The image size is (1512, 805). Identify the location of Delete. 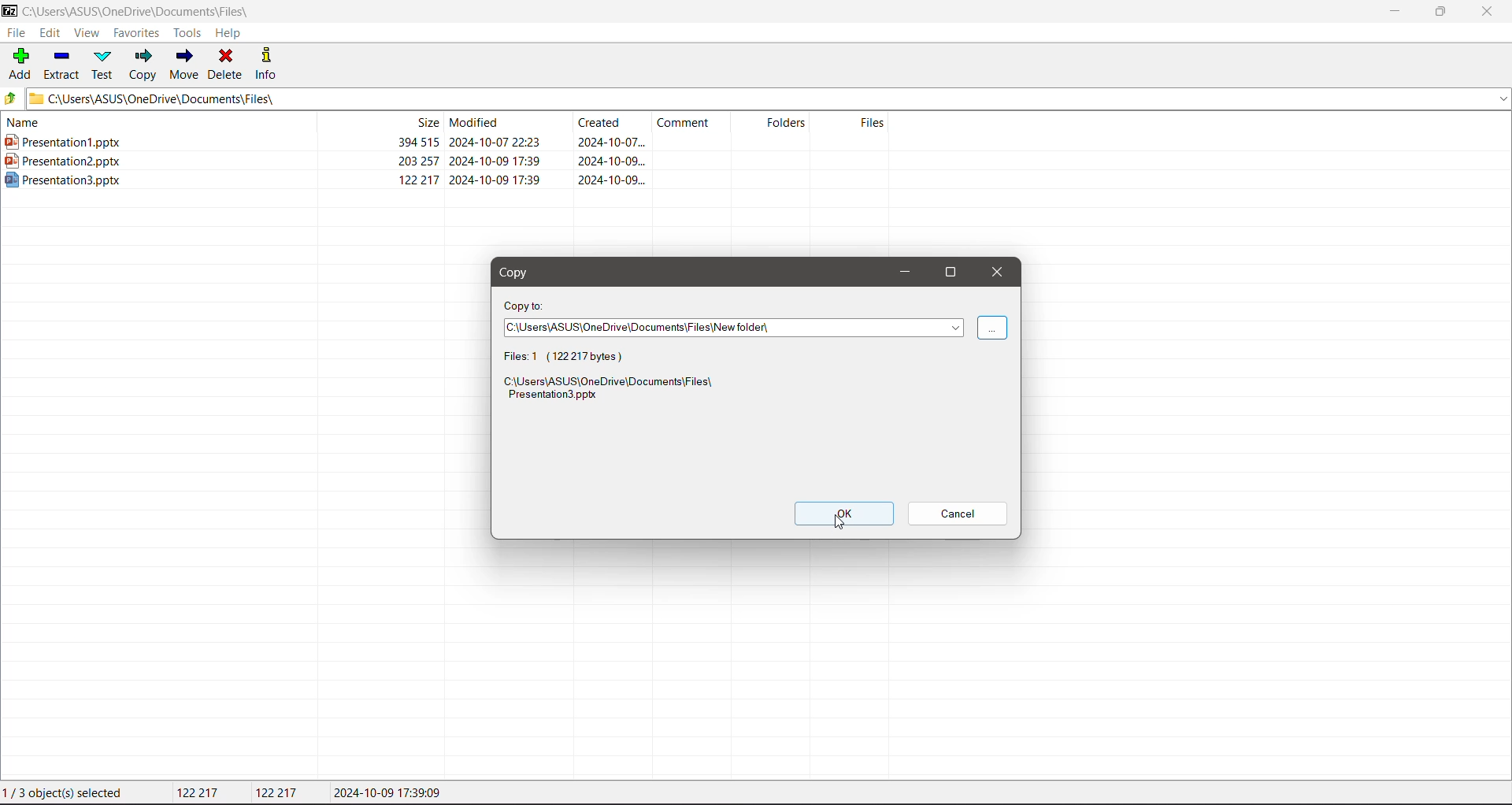
(228, 65).